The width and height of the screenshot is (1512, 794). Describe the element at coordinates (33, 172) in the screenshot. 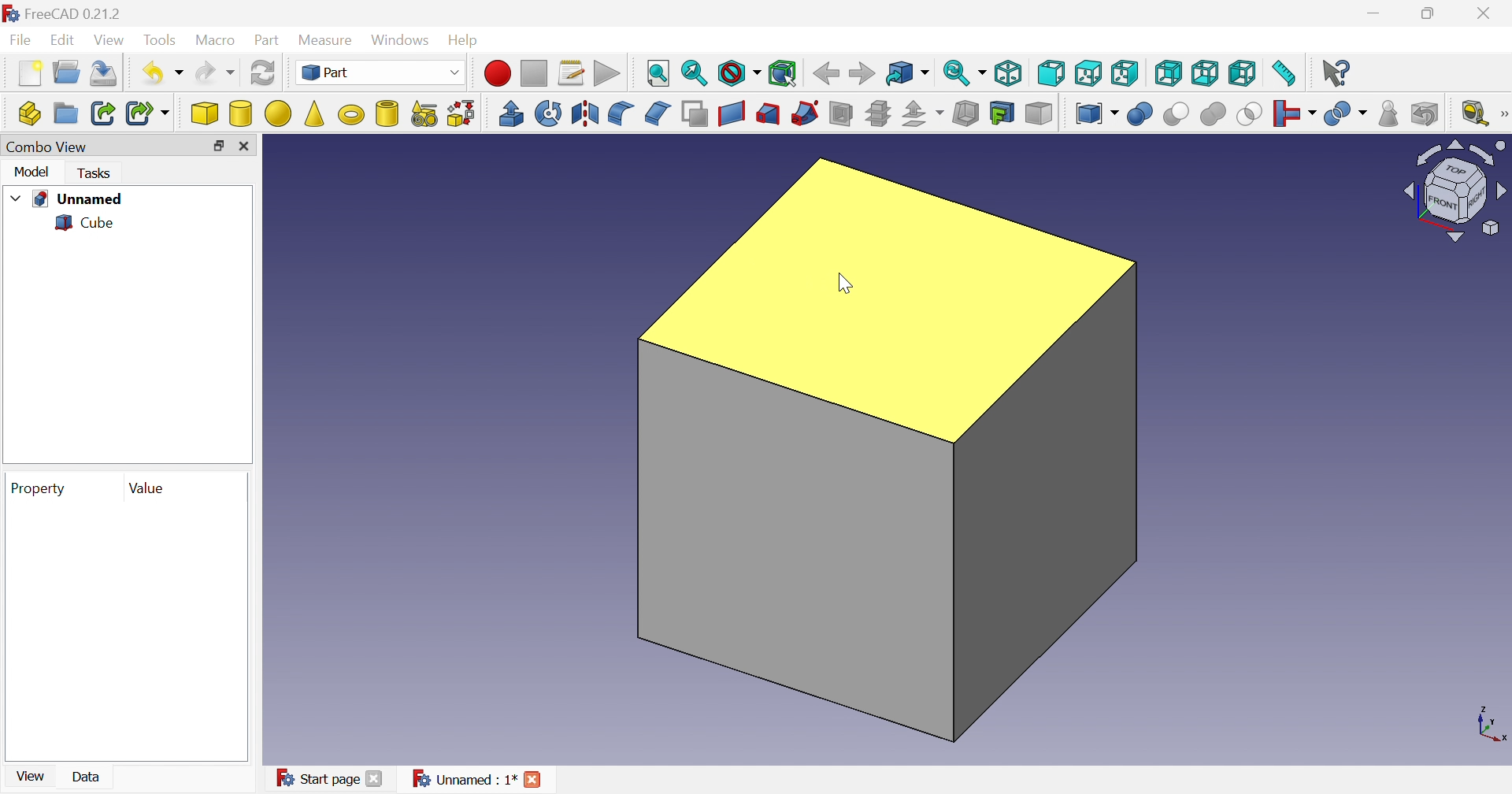

I see `Model` at that location.